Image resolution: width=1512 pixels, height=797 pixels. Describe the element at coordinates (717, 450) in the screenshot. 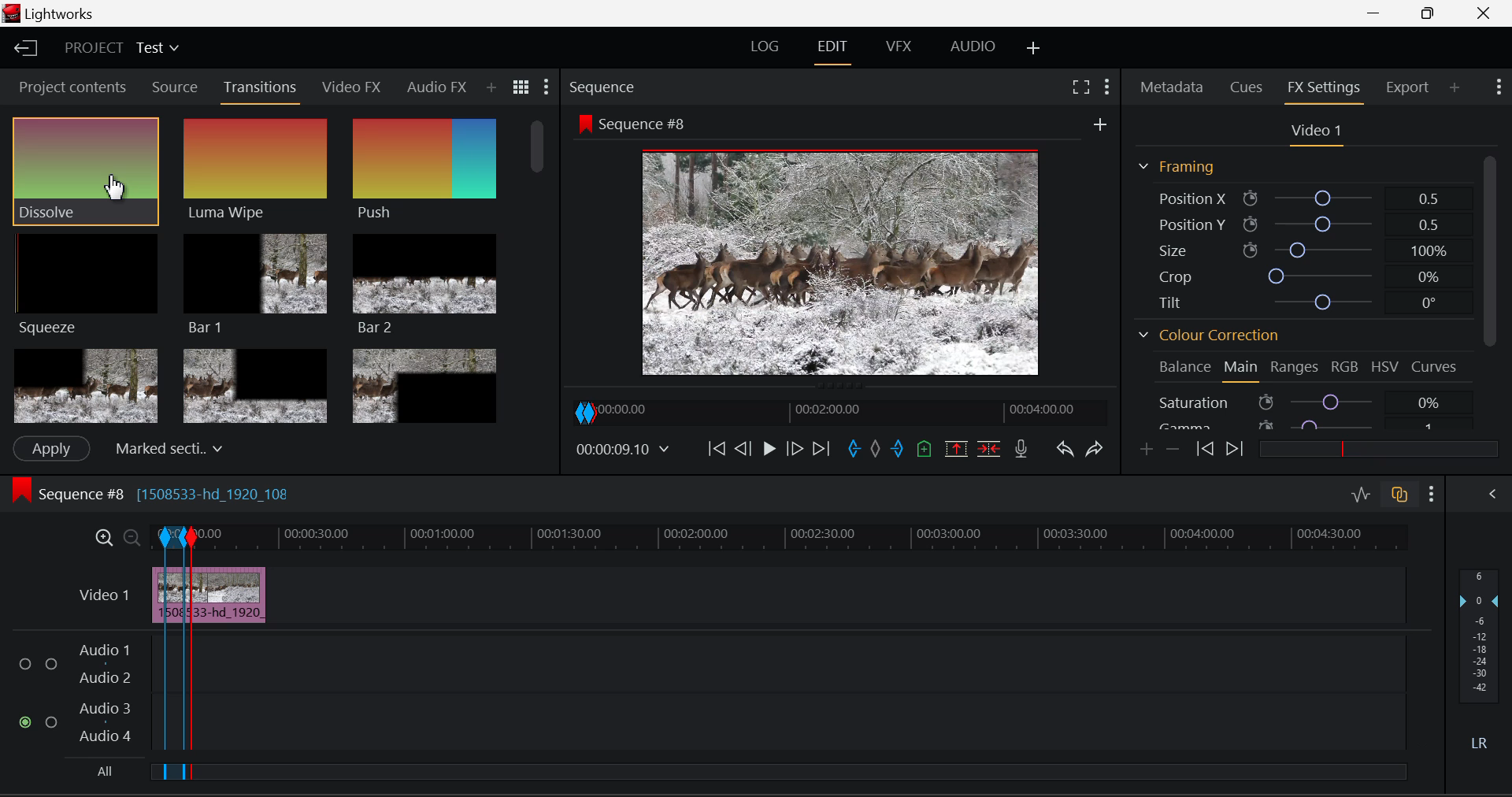

I see `To start` at that location.